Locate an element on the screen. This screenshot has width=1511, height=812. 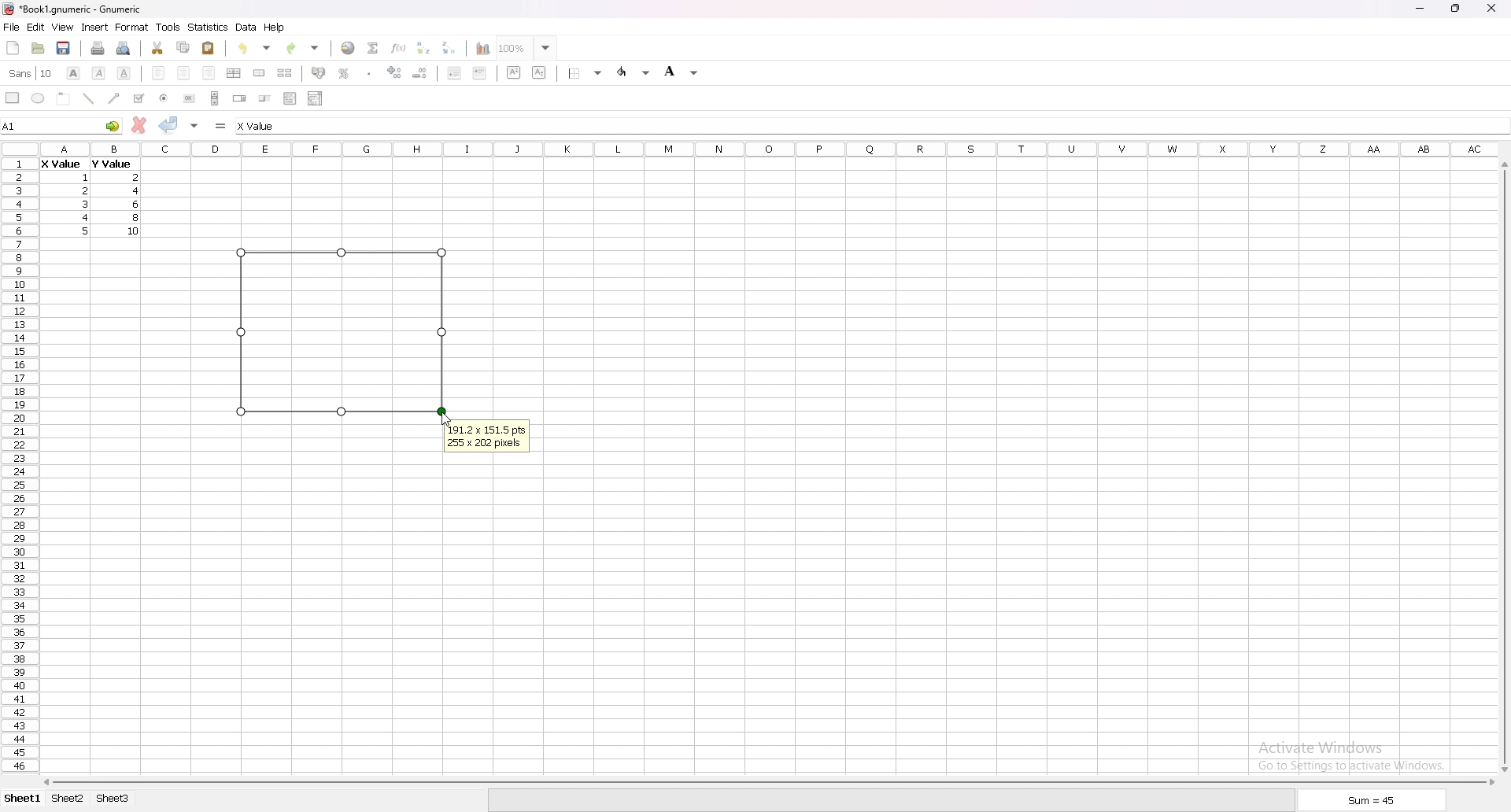
bold is located at coordinates (72, 73).